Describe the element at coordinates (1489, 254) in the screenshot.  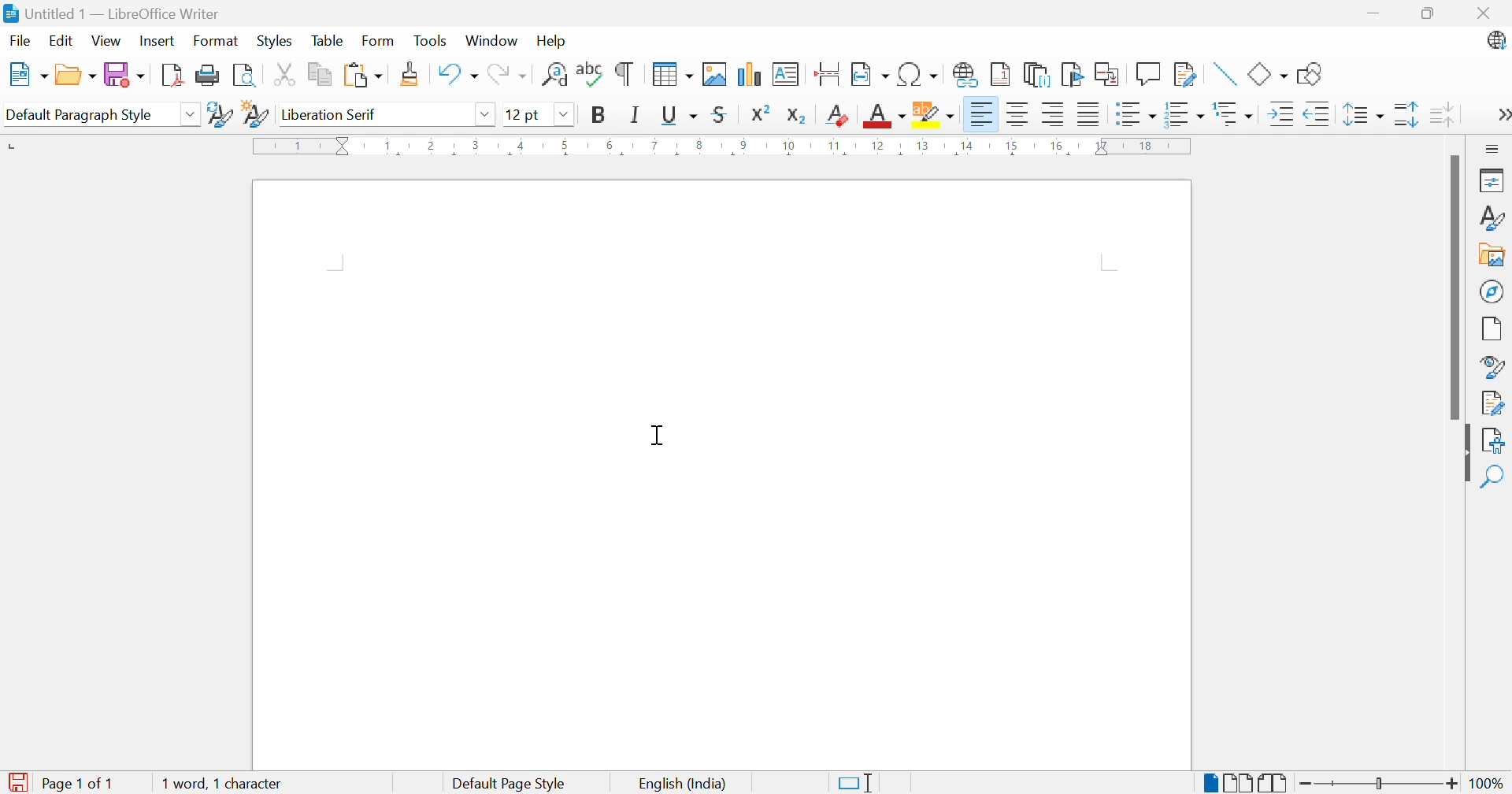
I see `Gallery` at that location.